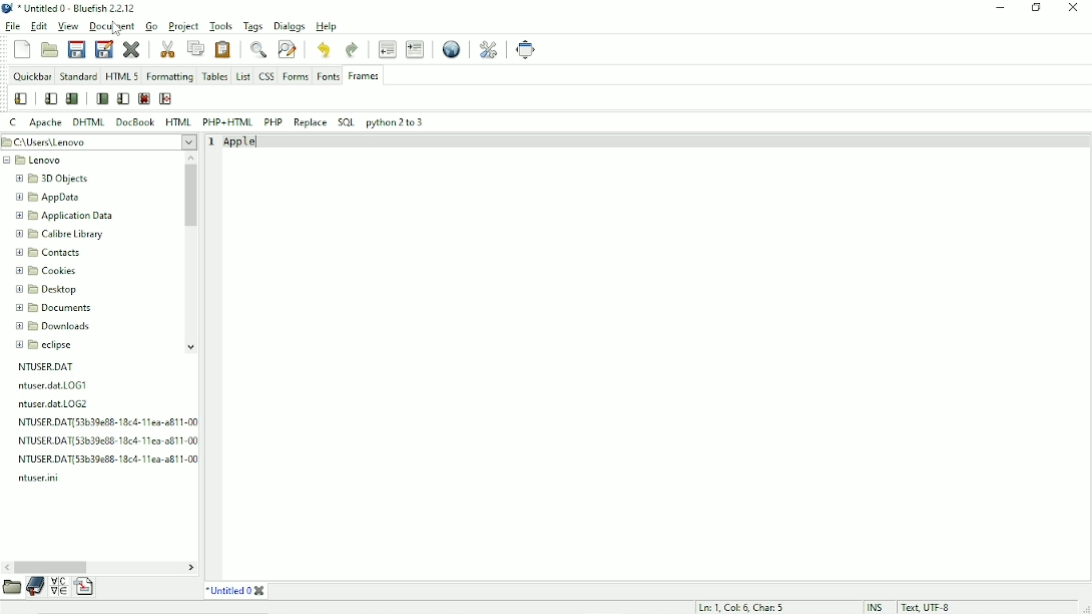 This screenshot has height=614, width=1092. What do you see at coordinates (169, 78) in the screenshot?
I see `Formatting` at bounding box center [169, 78].